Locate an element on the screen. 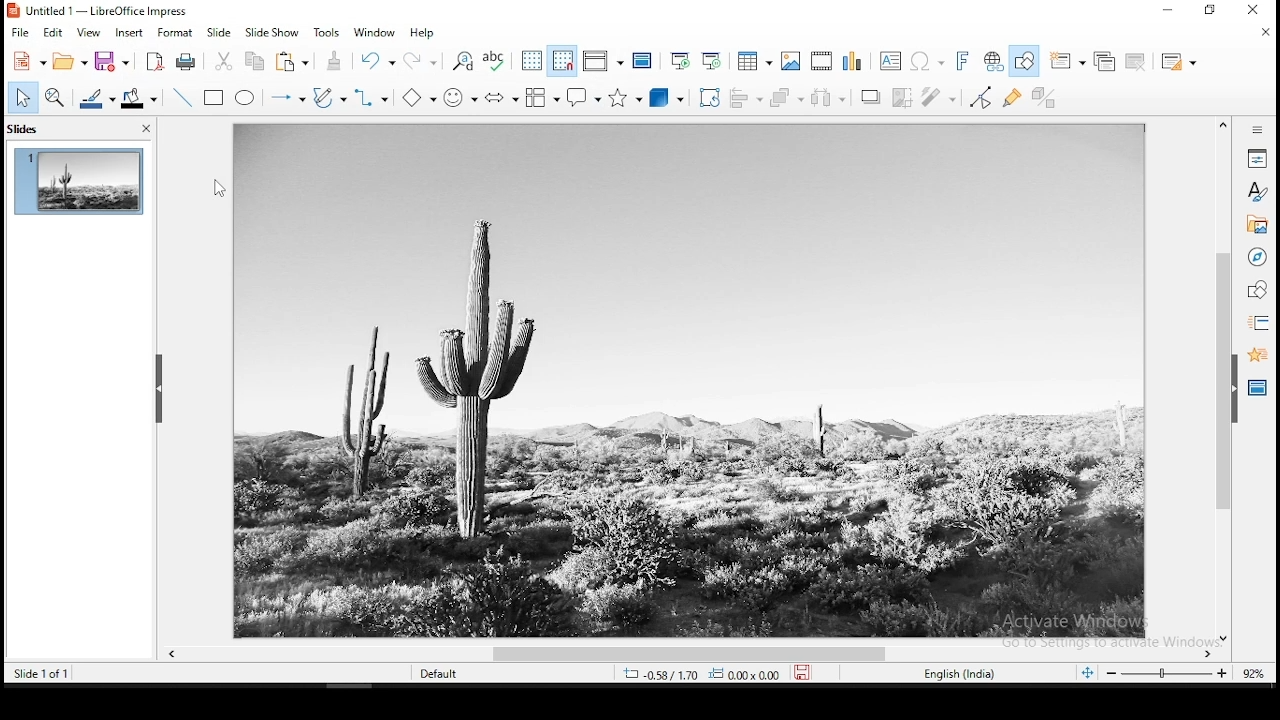 Image resolution: width=1280 pixels, height=720 pixels. mouse pointer is located at coordinates (214, 187).